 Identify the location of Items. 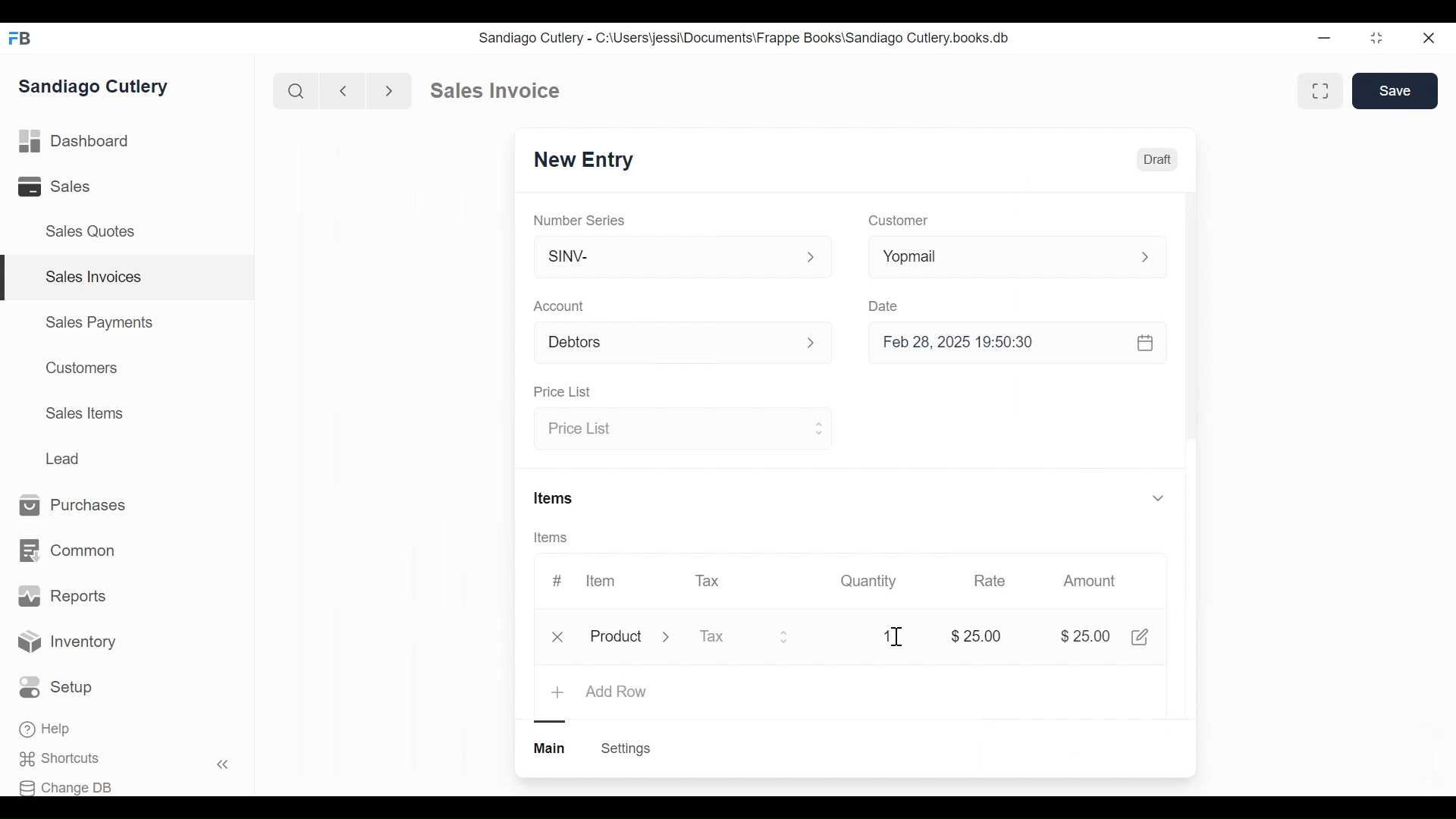
(552, 538).